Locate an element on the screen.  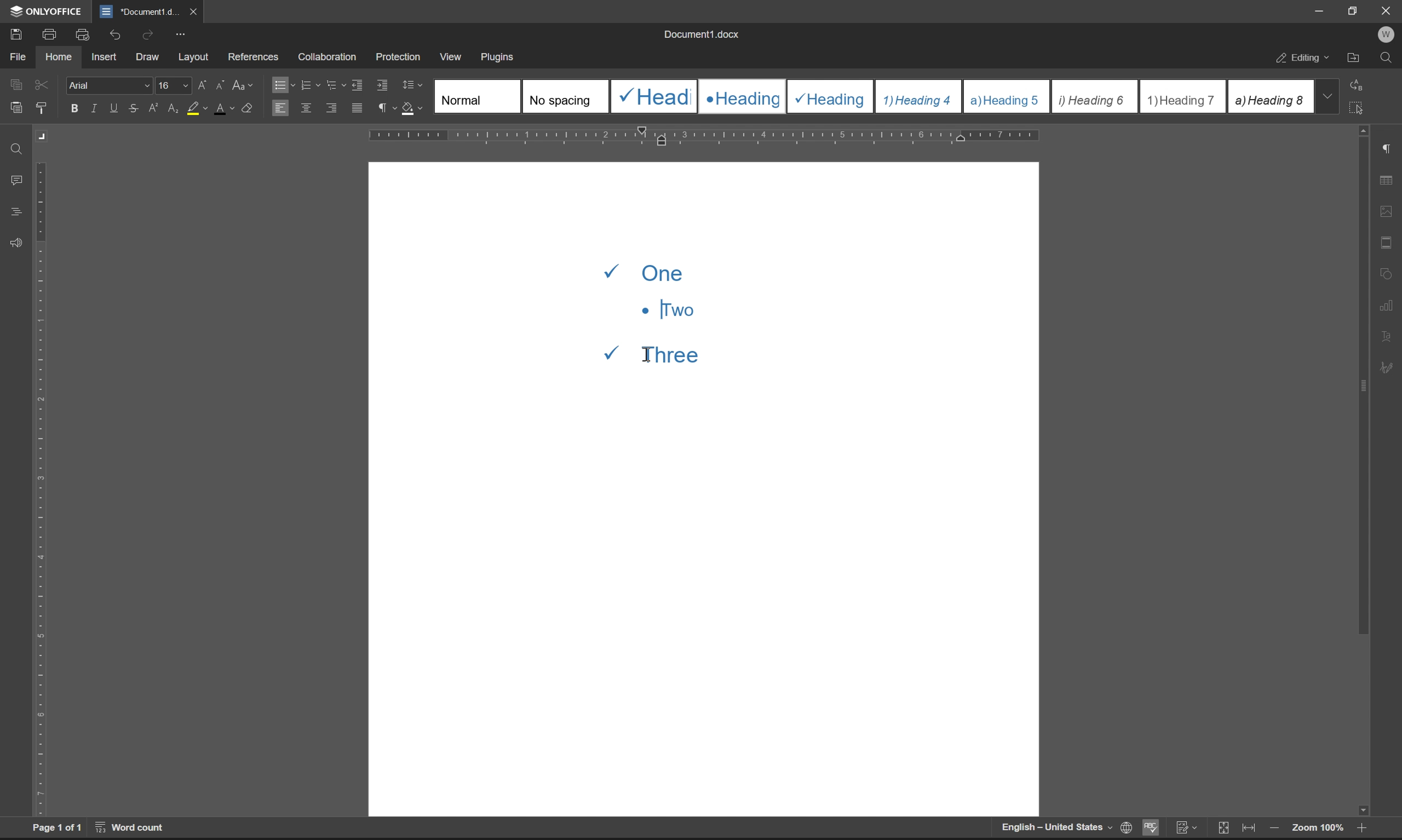
find is located at coordinates (18, 150).